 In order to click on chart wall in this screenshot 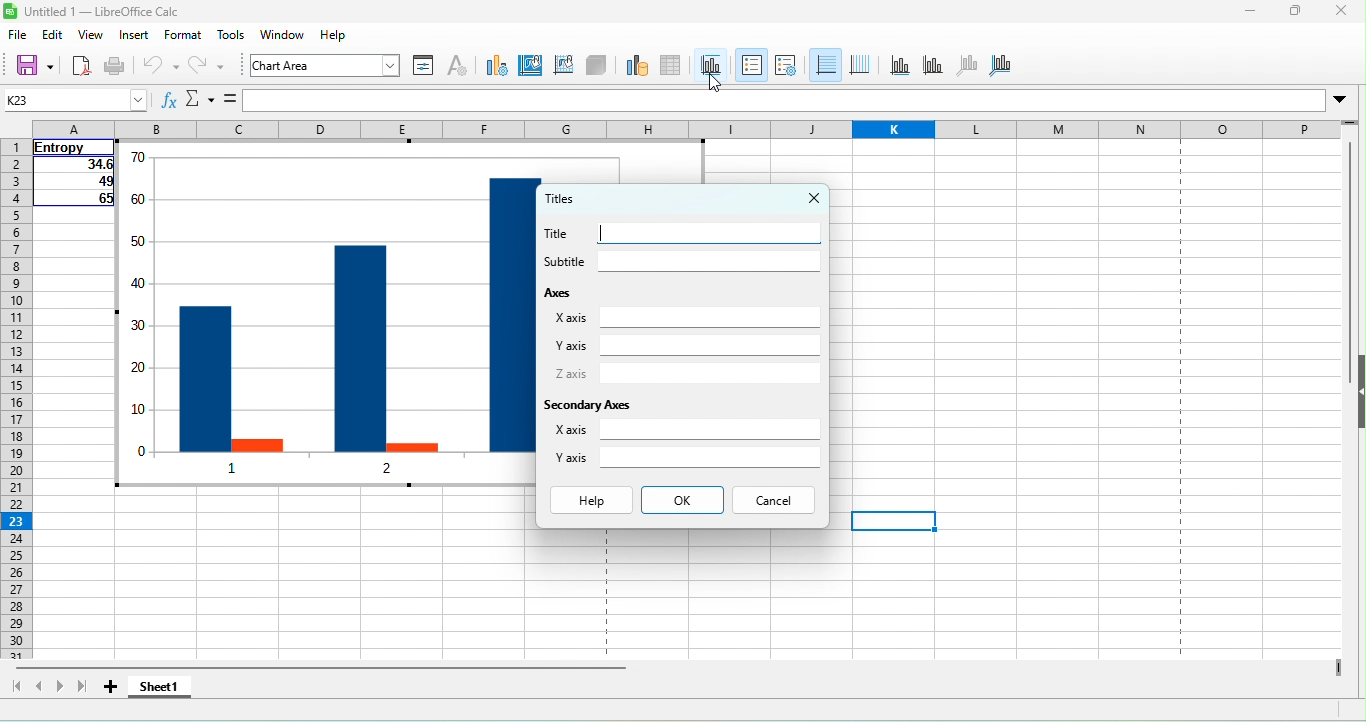, I will do `click(565, 69)`.